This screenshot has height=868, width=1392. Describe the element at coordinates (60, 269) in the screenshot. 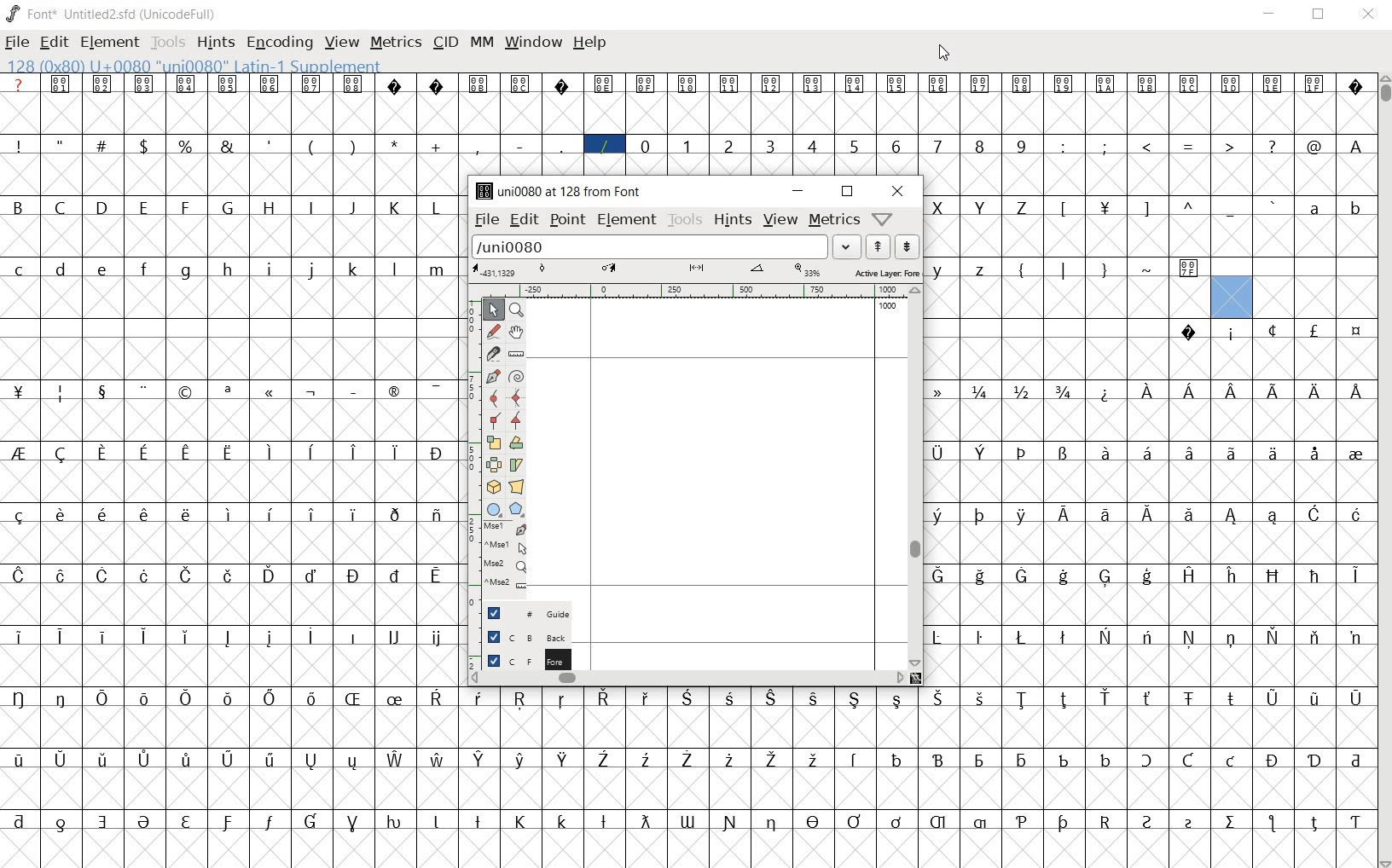

I see `glyph` at that location.